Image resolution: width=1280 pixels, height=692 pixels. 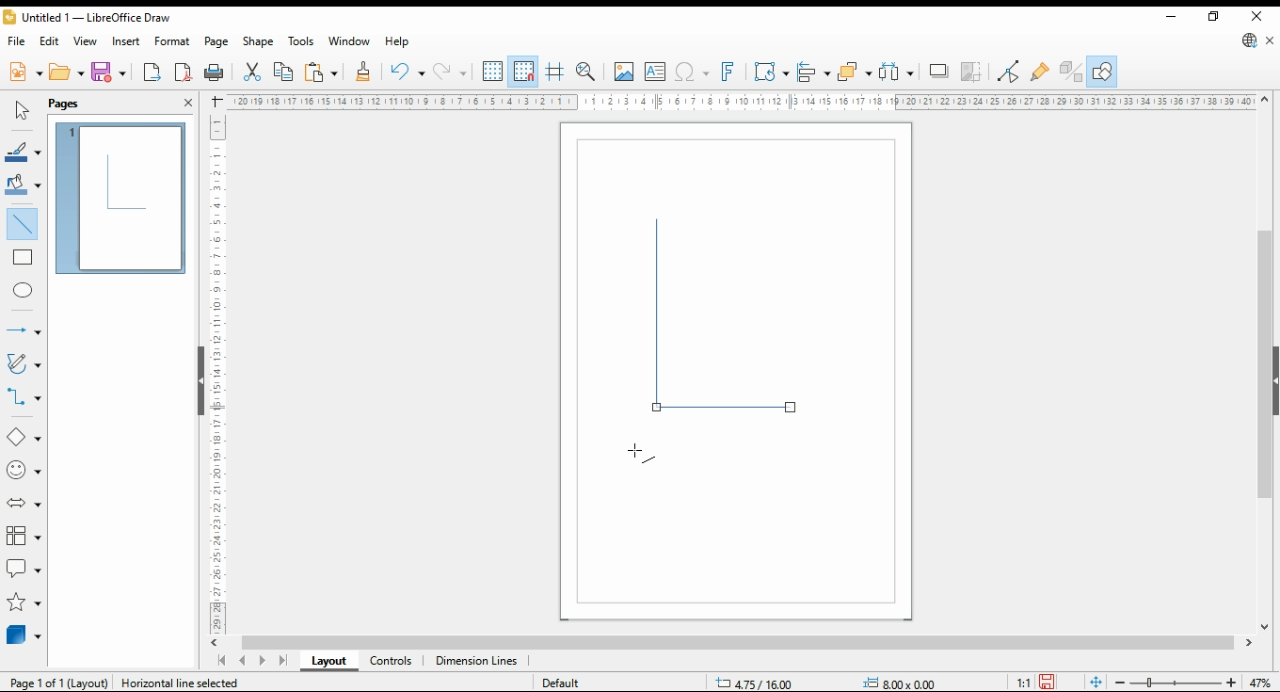 I want to click on screen size, so click(x=752, y=681).